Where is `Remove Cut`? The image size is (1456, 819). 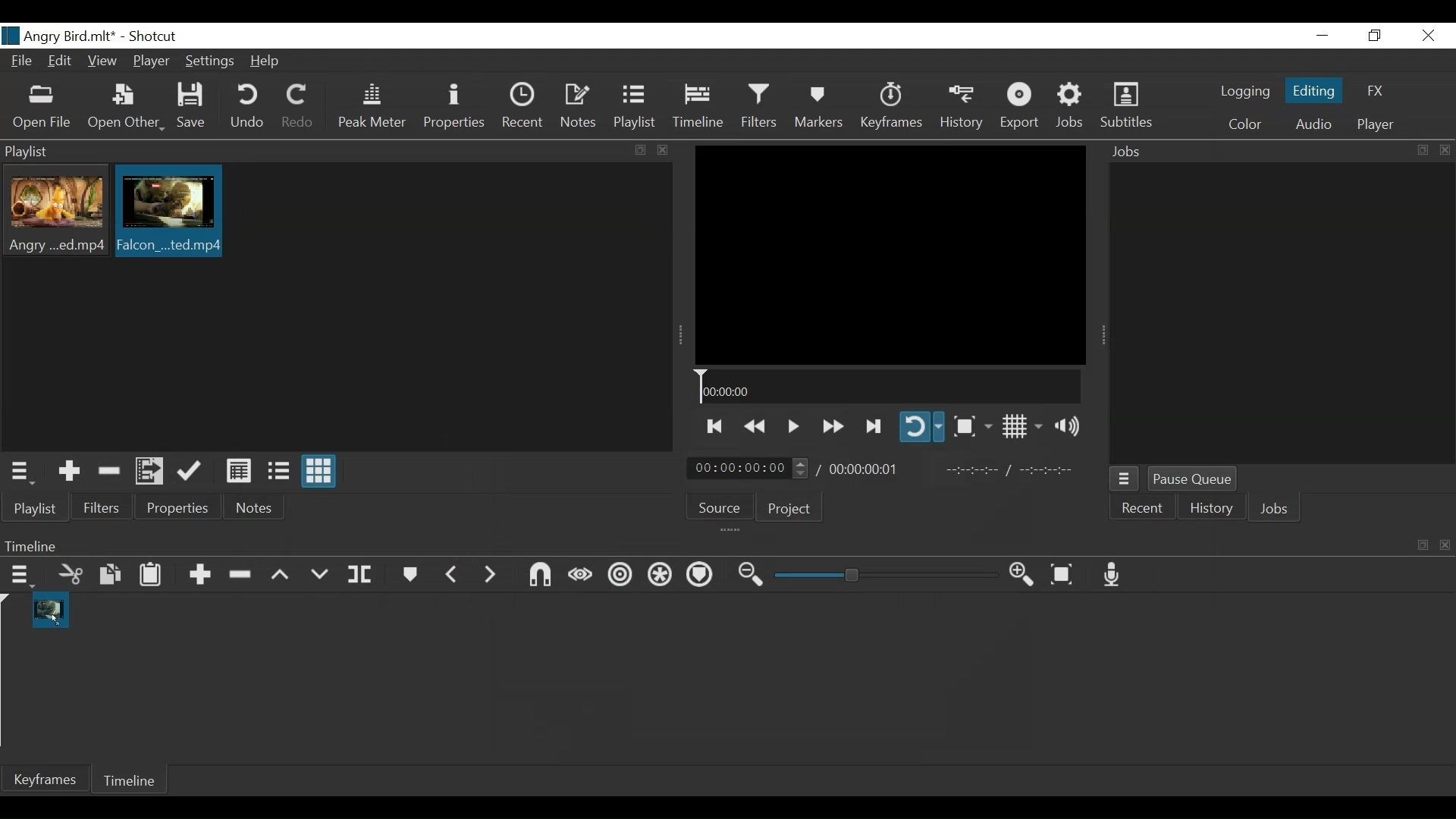
Remove Cut is located at coordinates (111, 471).